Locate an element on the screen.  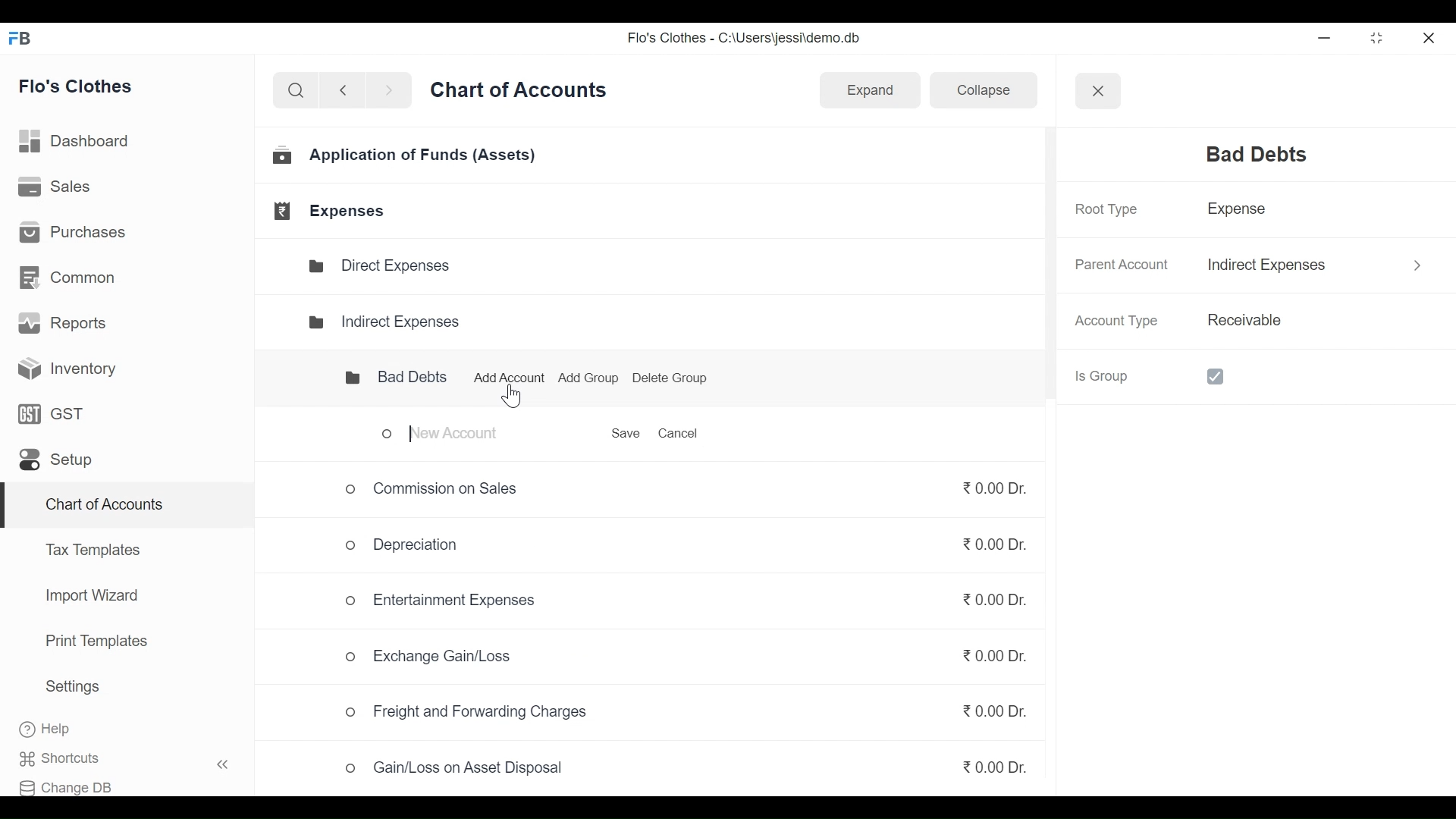
Chart of Accounts is located at coordinates (522, 95).